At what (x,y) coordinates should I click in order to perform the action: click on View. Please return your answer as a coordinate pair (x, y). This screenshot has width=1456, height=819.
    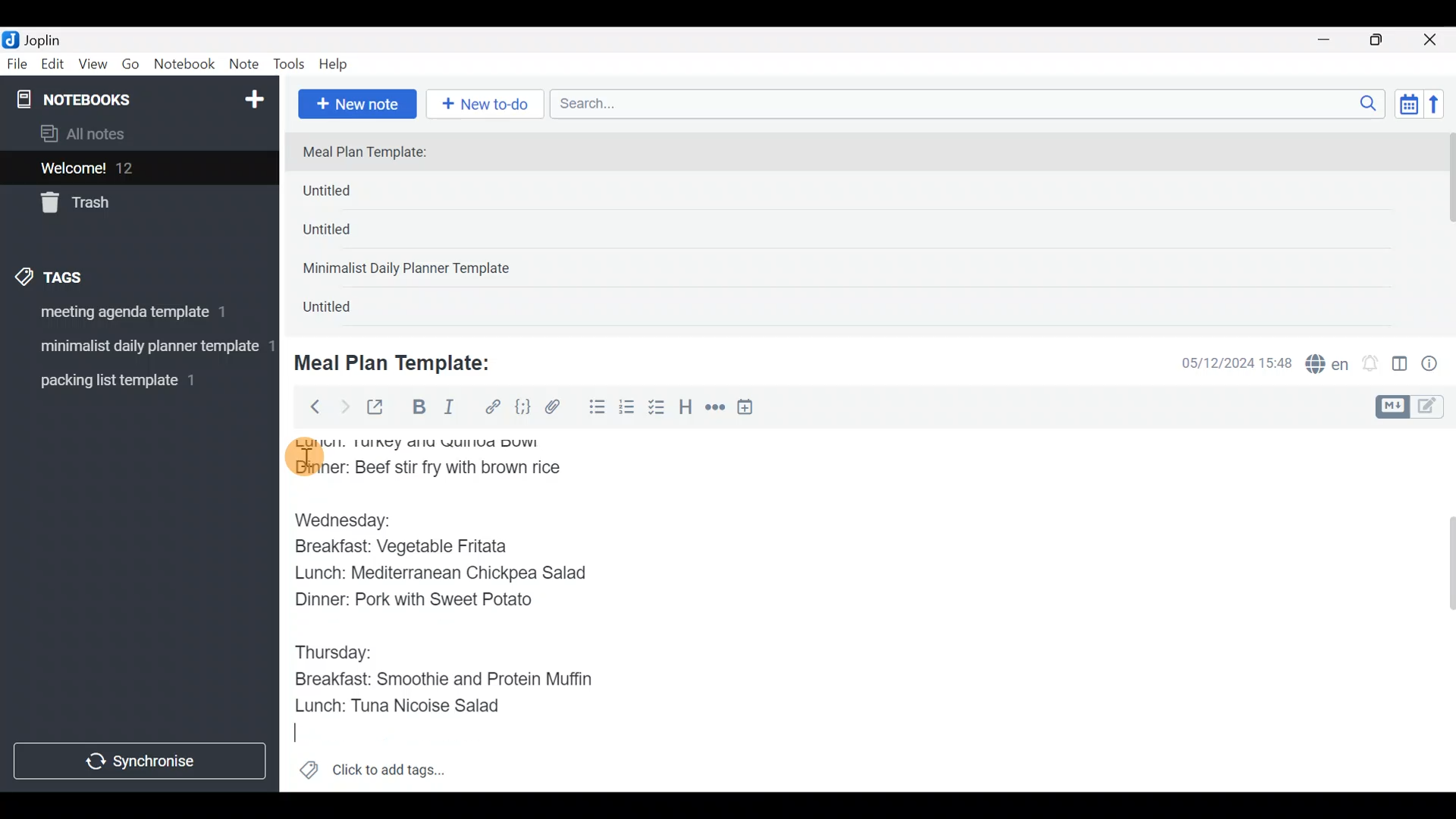
    Looking at the image, I should click on (93, 67).